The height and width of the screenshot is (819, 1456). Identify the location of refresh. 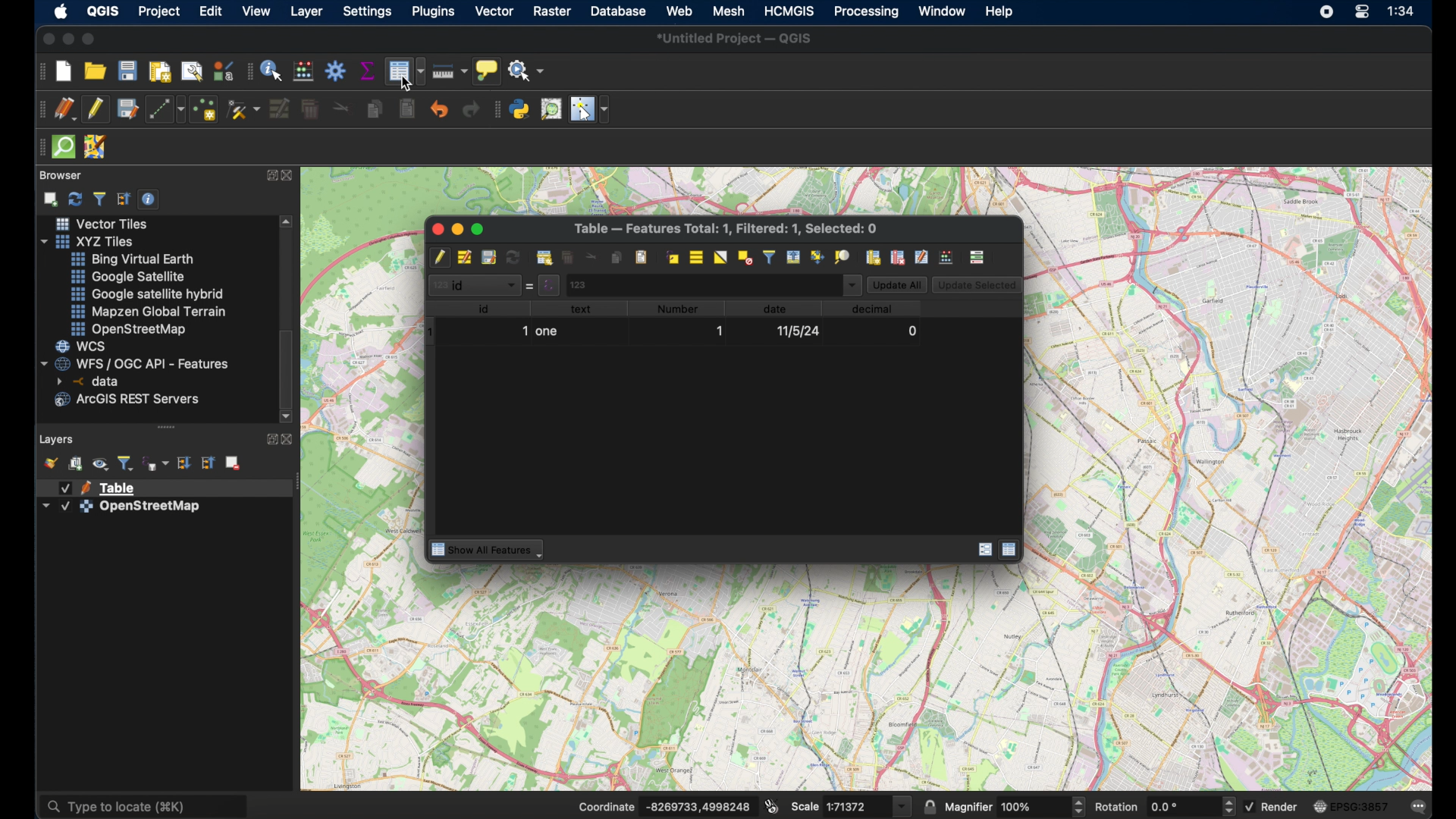
(75, 199).